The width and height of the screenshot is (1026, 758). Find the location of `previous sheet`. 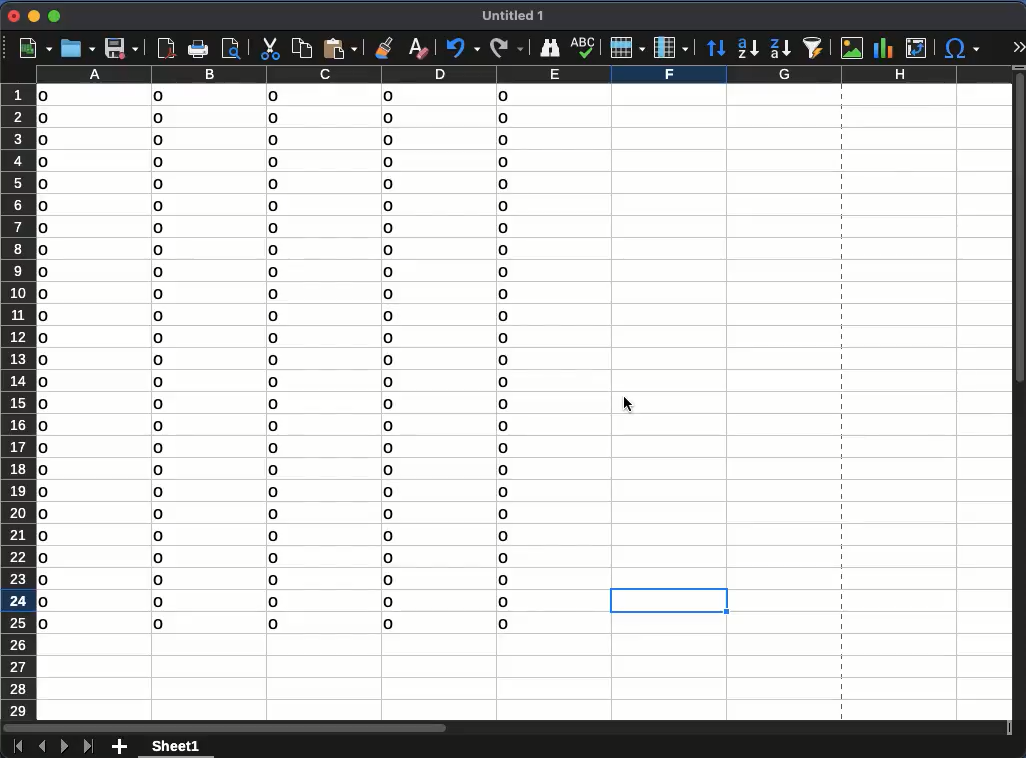

previous sheet is located at coordinates (40, 747).